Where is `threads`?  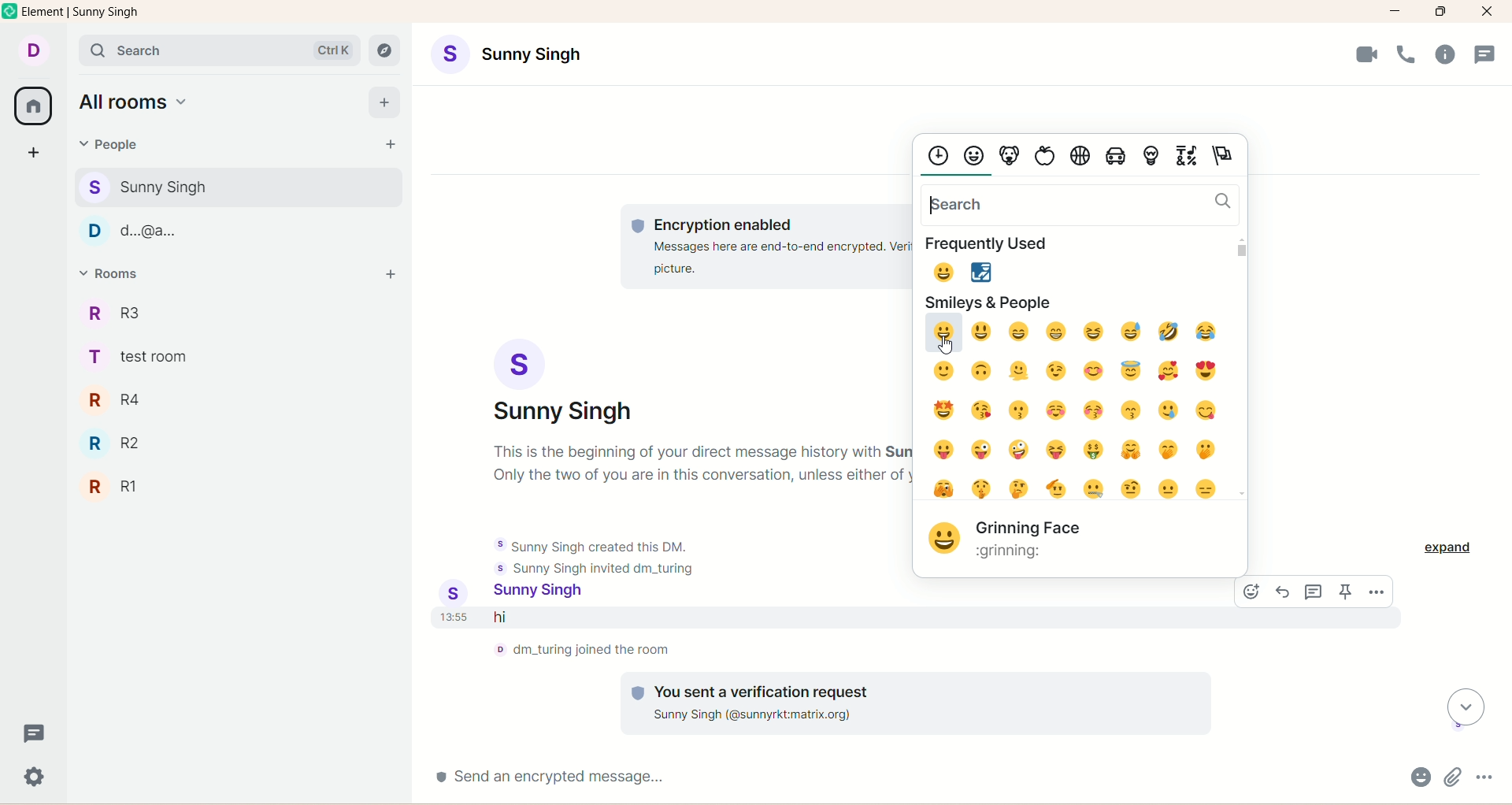
threads is located at coordinates (34, 732).